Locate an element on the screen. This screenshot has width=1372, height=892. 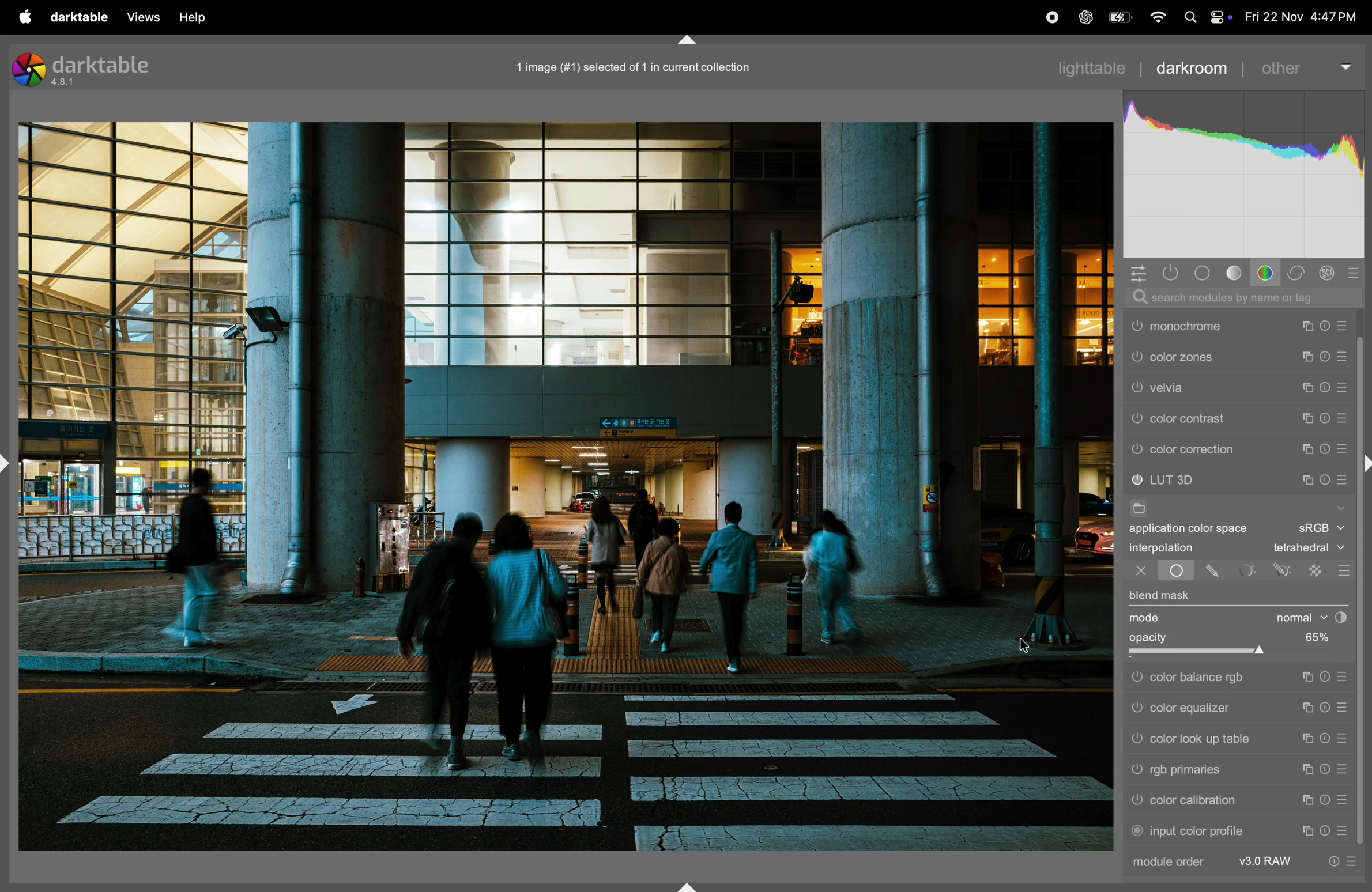
darktable is located at coordinates (80, 16).